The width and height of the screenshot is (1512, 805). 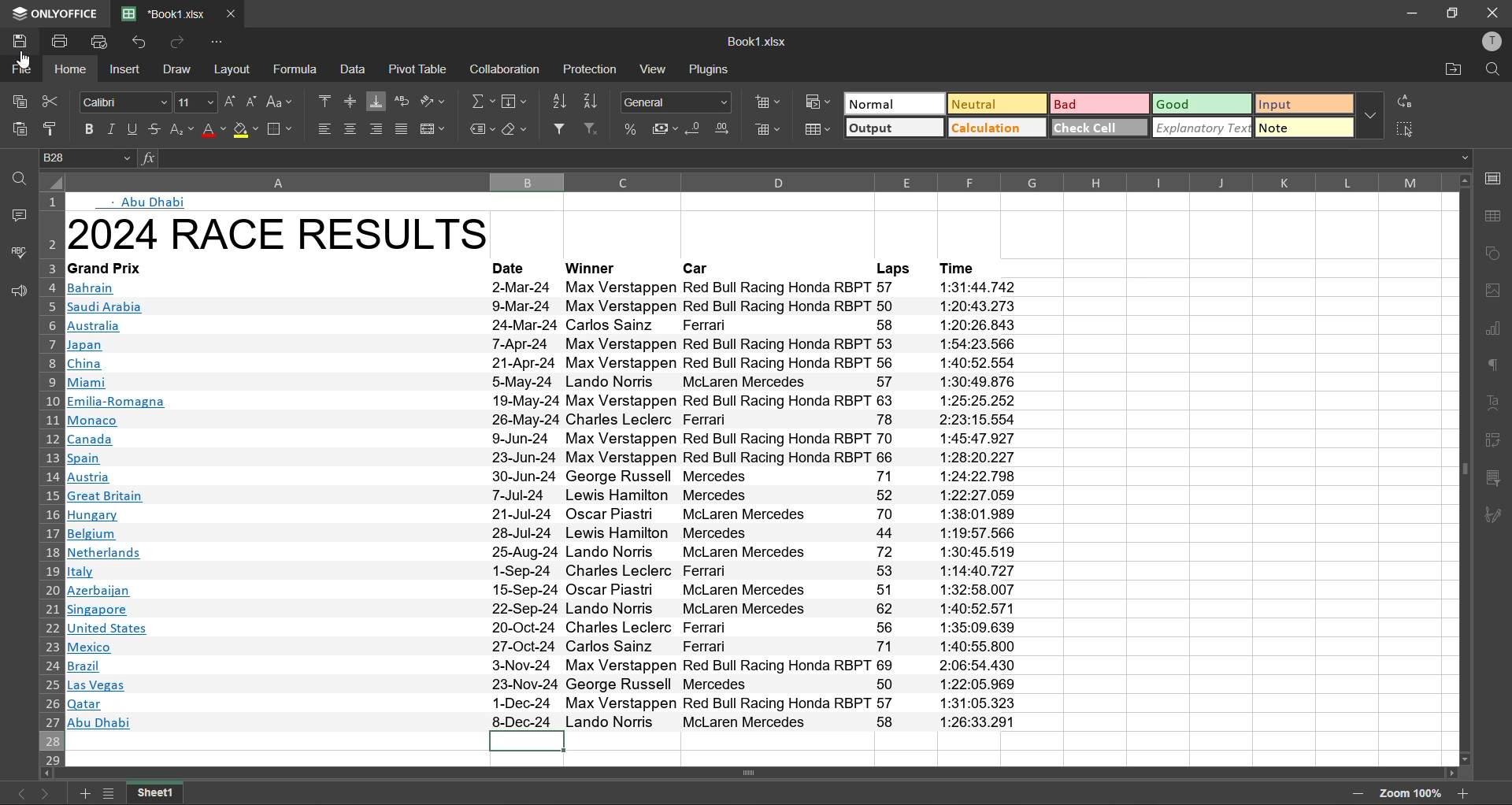 What do you see at coordinates (1410, 796) in the screenshot?
I see `zoom factor` at bounding box center [1410, 796].